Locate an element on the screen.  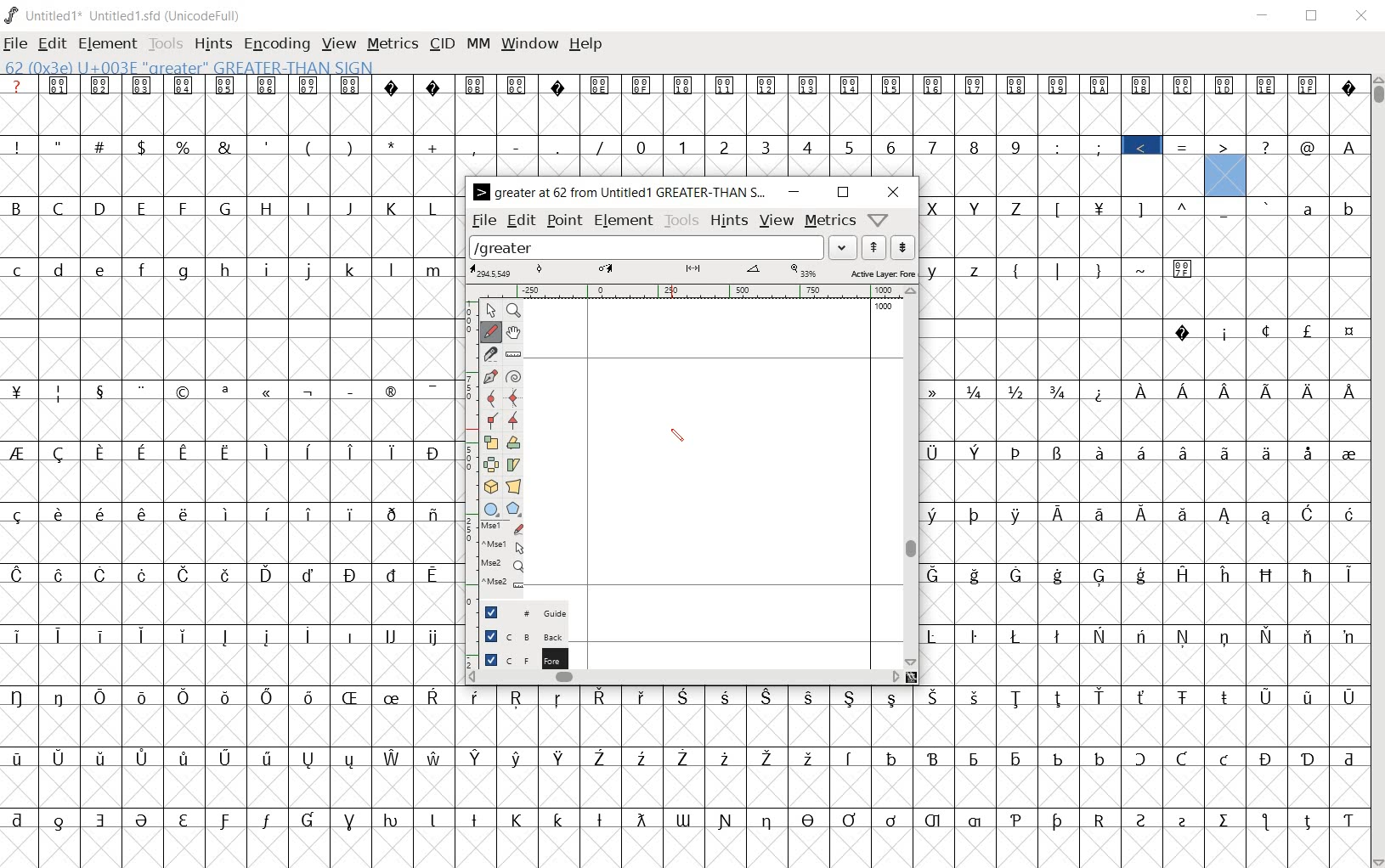
Rotate the selection is located at coordinates (514, 442).